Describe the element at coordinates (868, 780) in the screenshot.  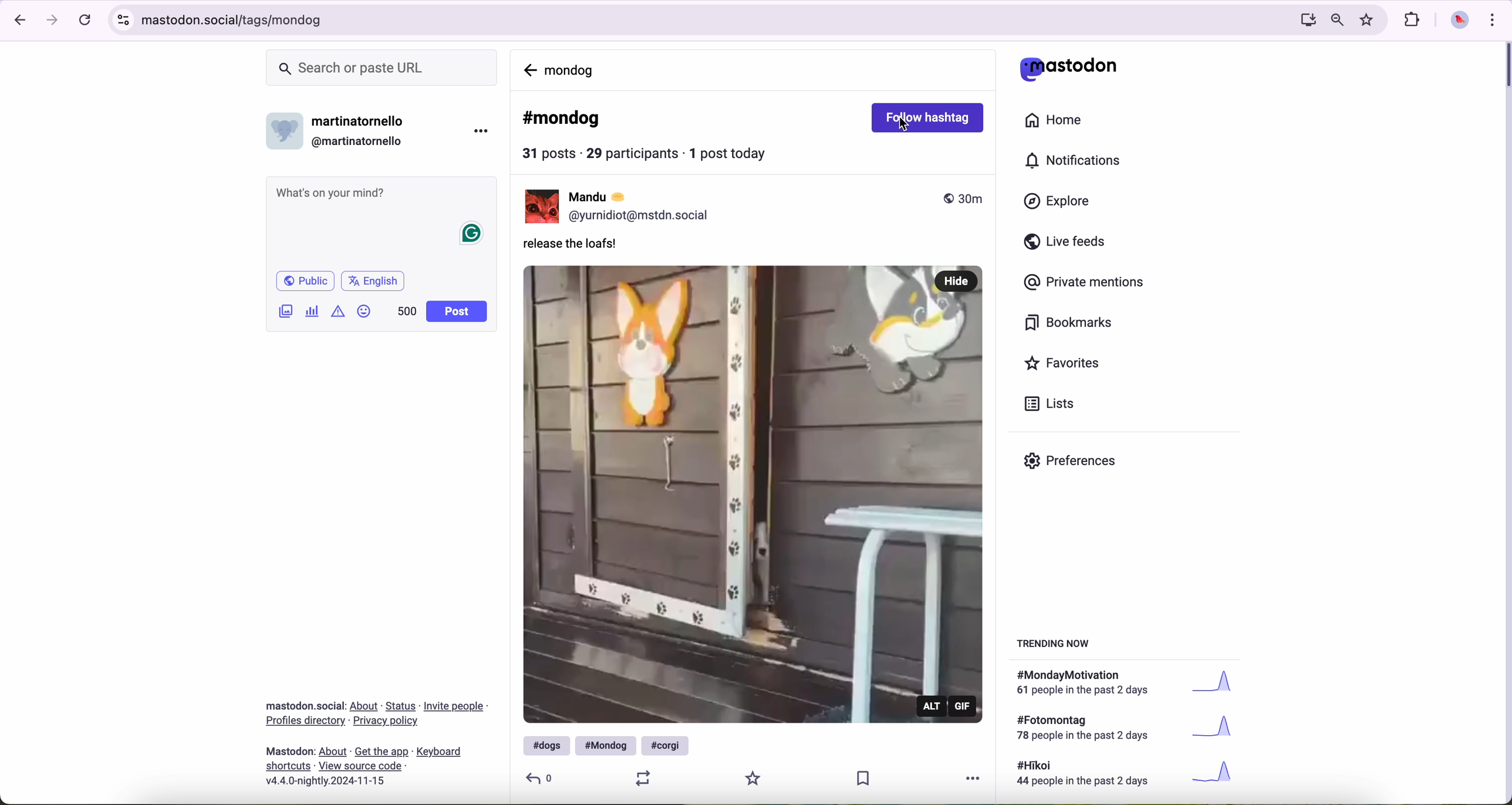
I see `save publication` at that location.